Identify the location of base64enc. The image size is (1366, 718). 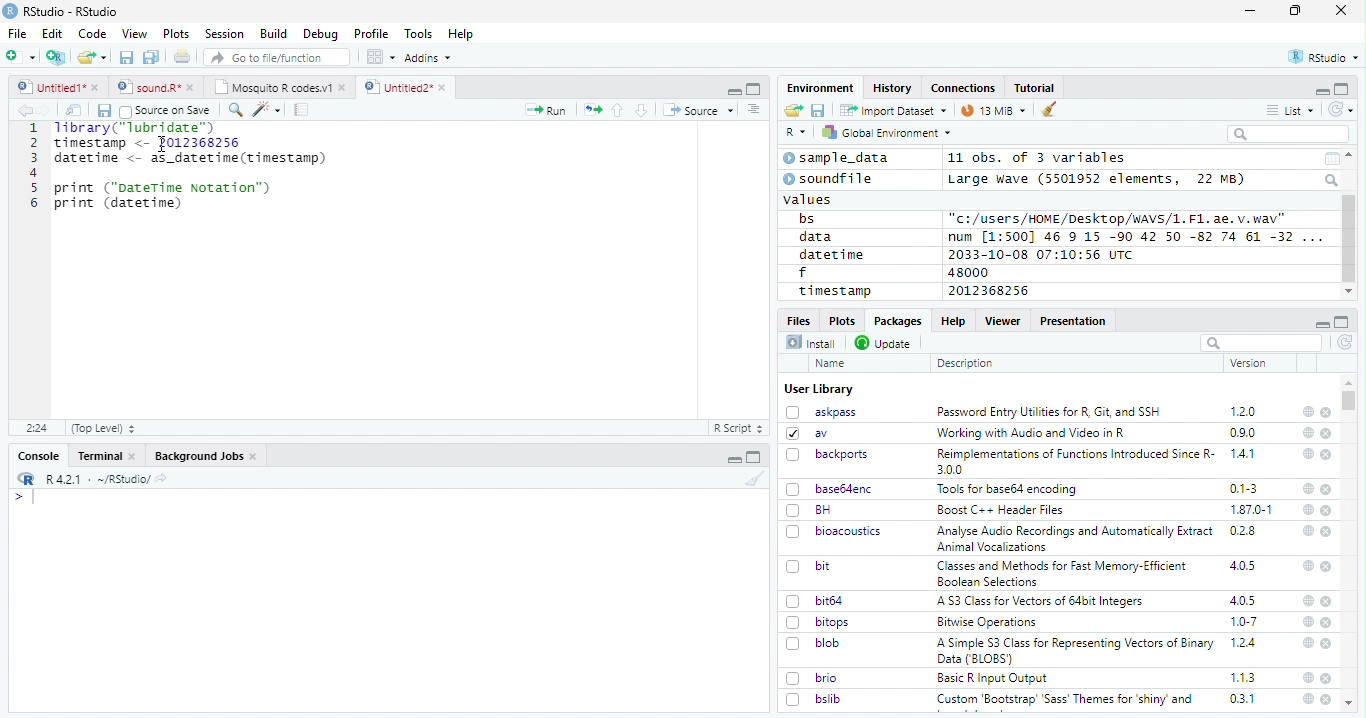
(830, 488).